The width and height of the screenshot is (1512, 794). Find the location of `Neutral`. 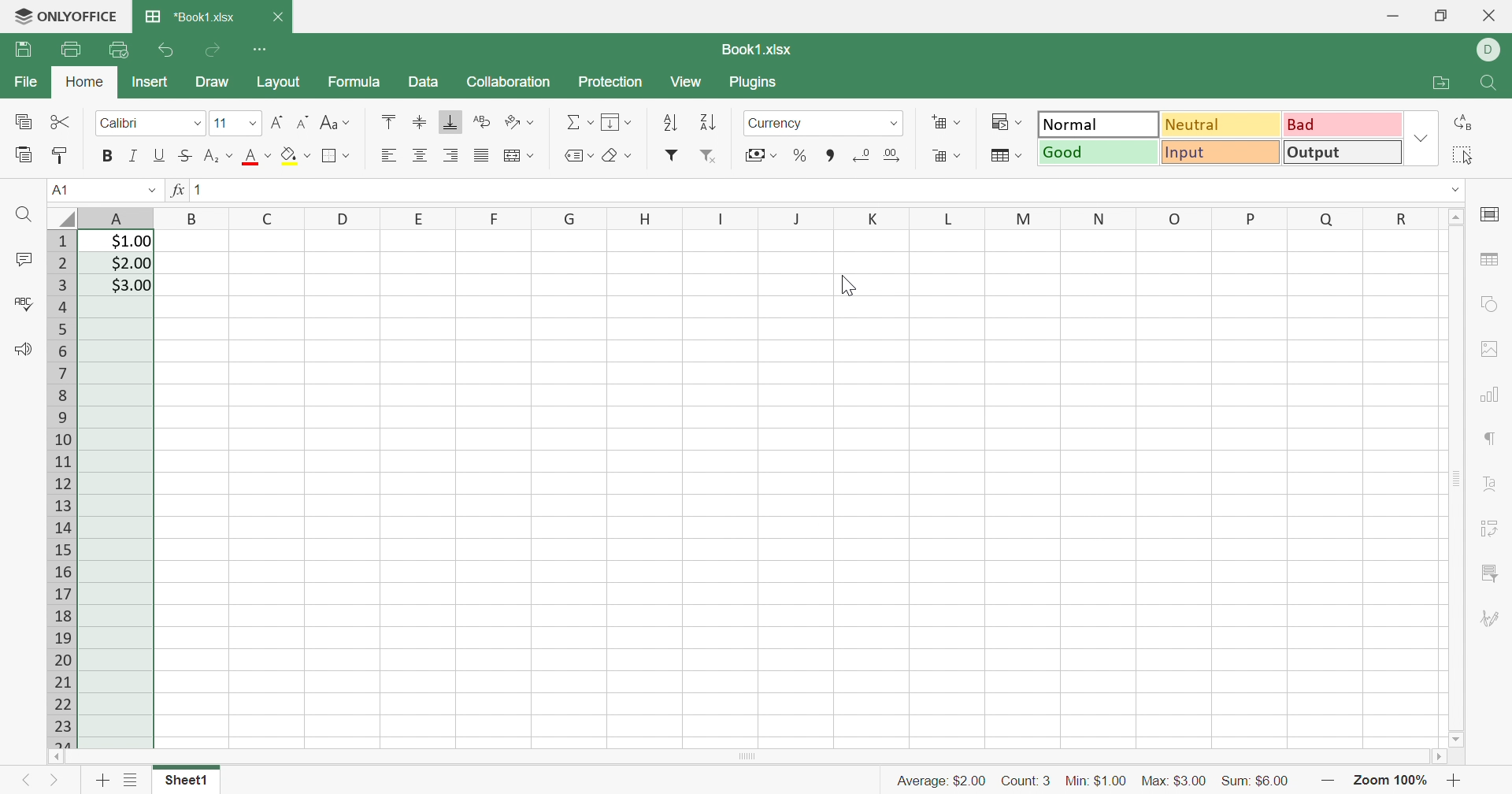

Neutral is located at coordinates (1223, 124).